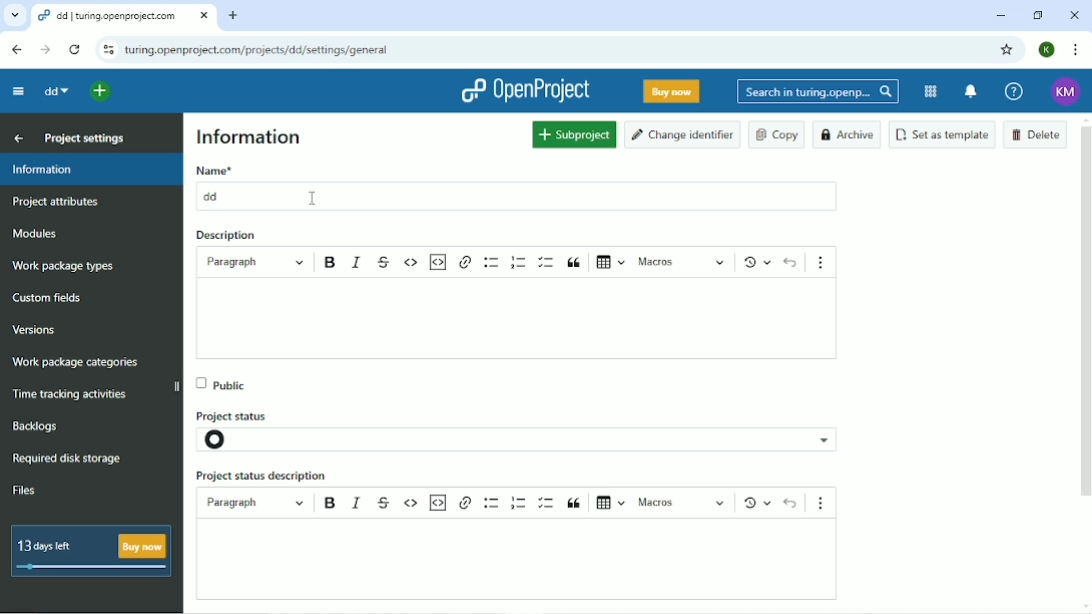  Describe the element at coordinates (680, 262) in the screenshot. I see `Macros` at that location.